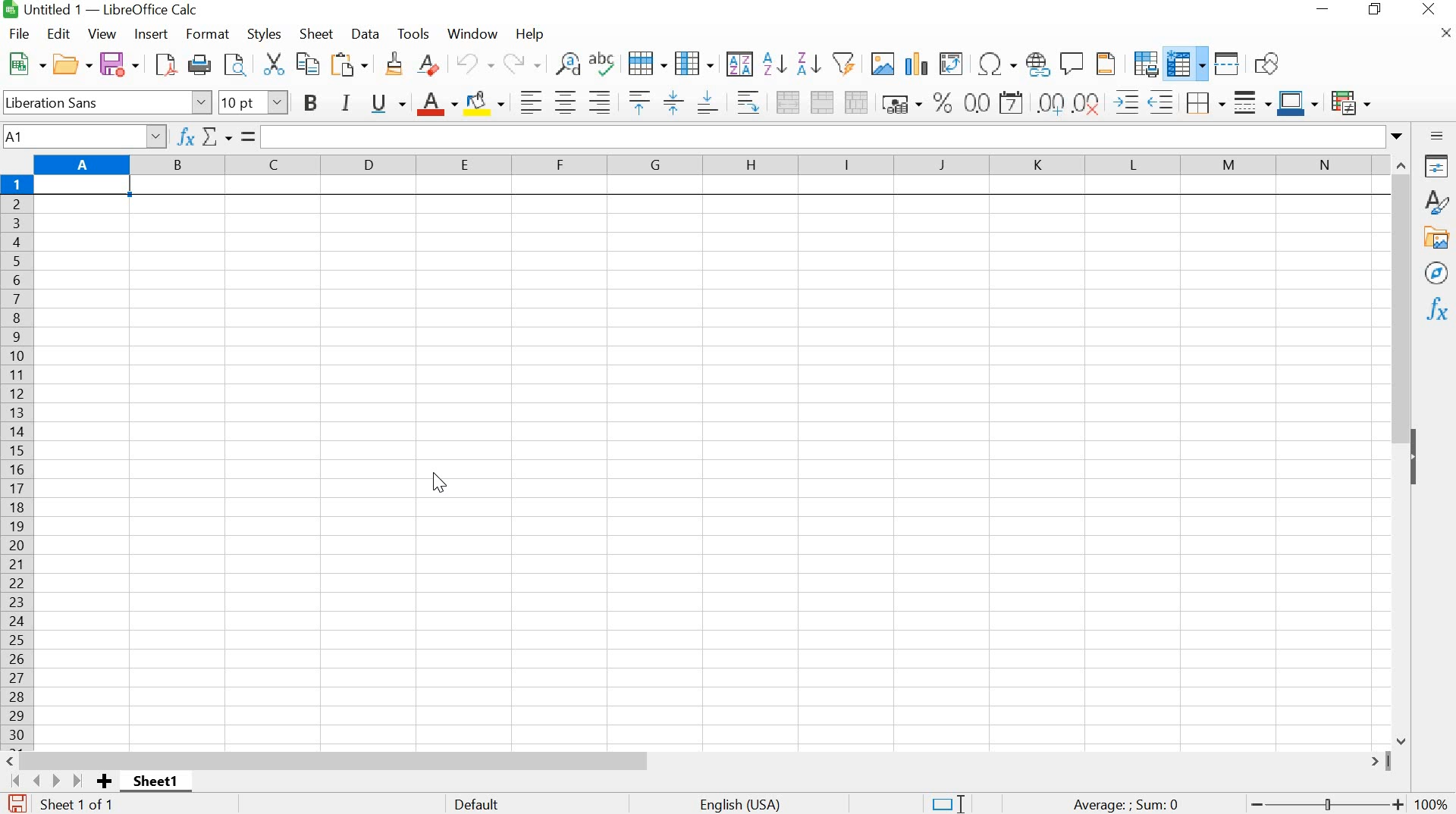 Image resolution: width=1456 pixels, height=814 pixels. Describe the element at coordinates (18, 459) in the screenshot. I see `ROWS` at that location.